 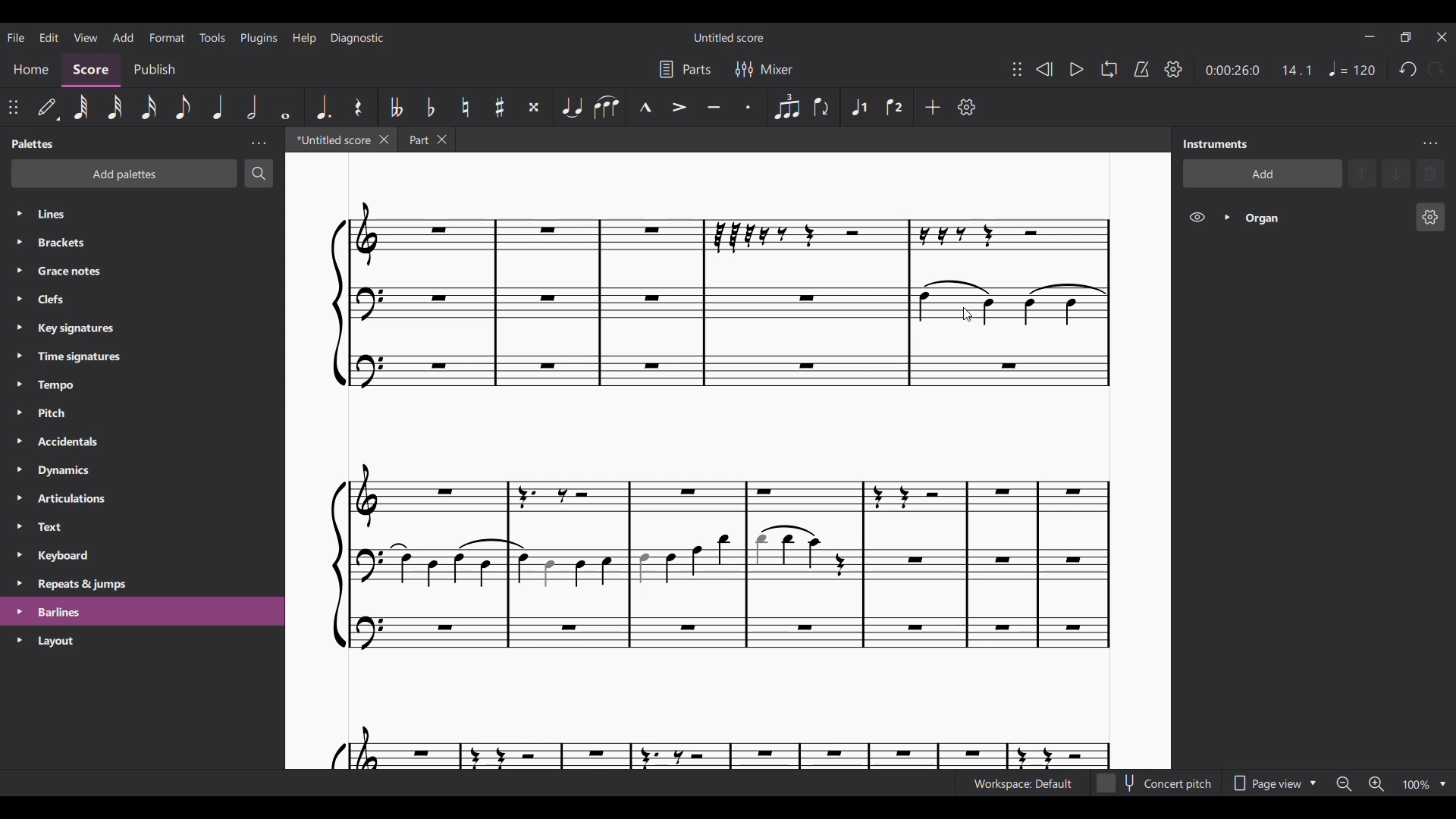 What do you see at coordinates (33, 143) in the screenshot?
I see `Panel title` at bounding box center [33, 143].